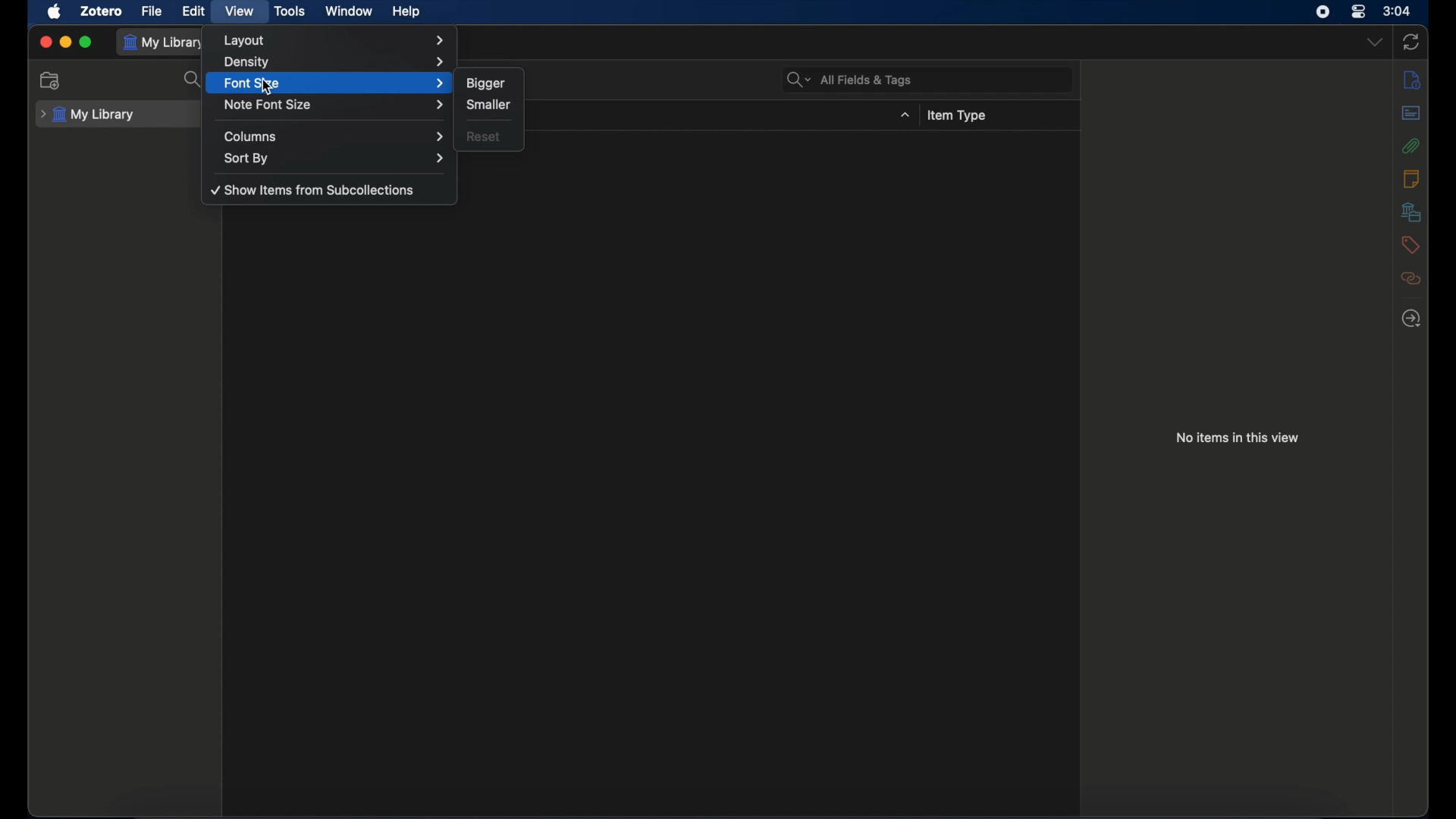  Describe the element at coordinates (196, 80) in the screenshot. I see `search` at that location.